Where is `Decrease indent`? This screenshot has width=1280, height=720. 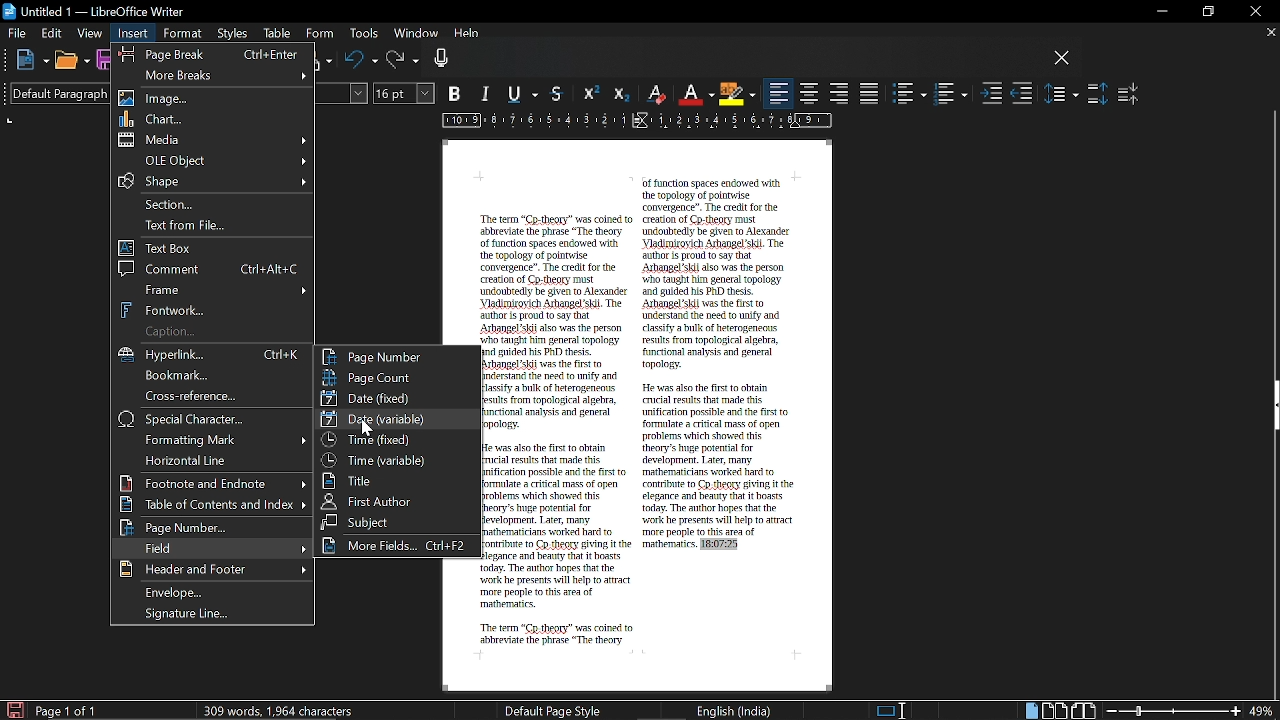
Decrease indent is located at coordinates (1022, 95).